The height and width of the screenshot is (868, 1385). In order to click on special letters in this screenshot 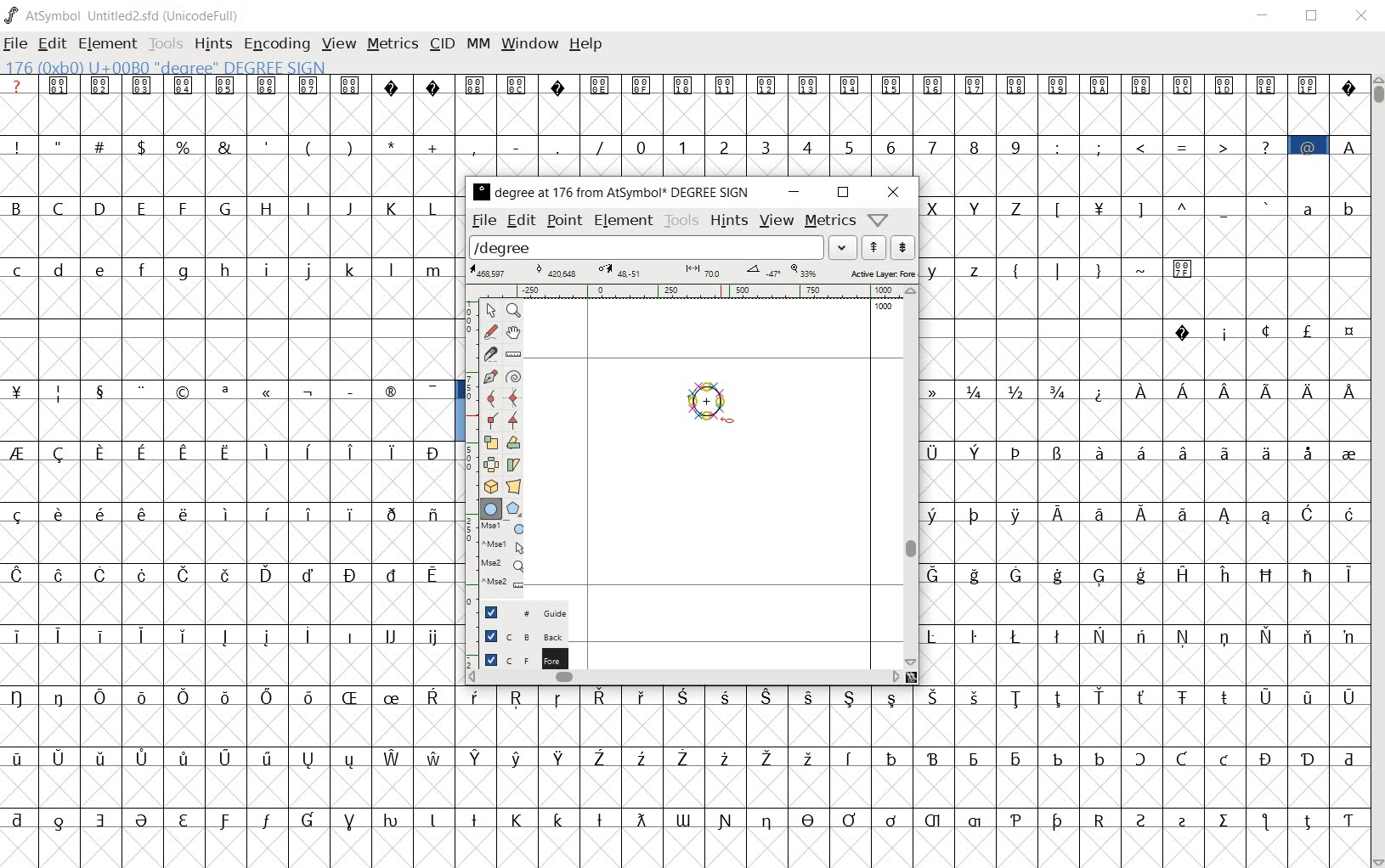, I will do `click(1144, 450)`.